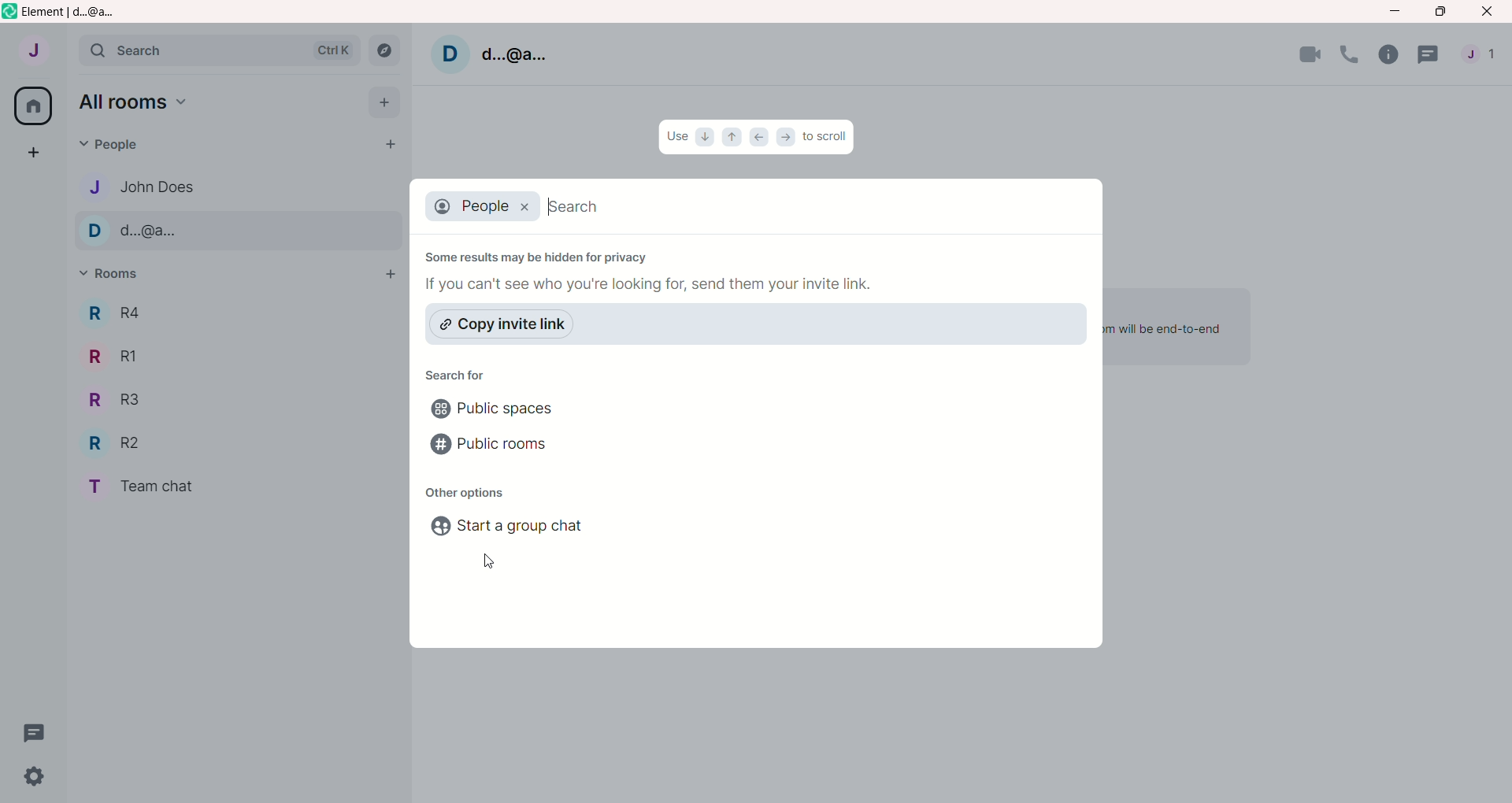 Image resolution: width=1512 pixels, height=803 pixels. What do you see at coordinates (458, 375) in the screenshot?
I see `search for` at bounding box center [458, 375].